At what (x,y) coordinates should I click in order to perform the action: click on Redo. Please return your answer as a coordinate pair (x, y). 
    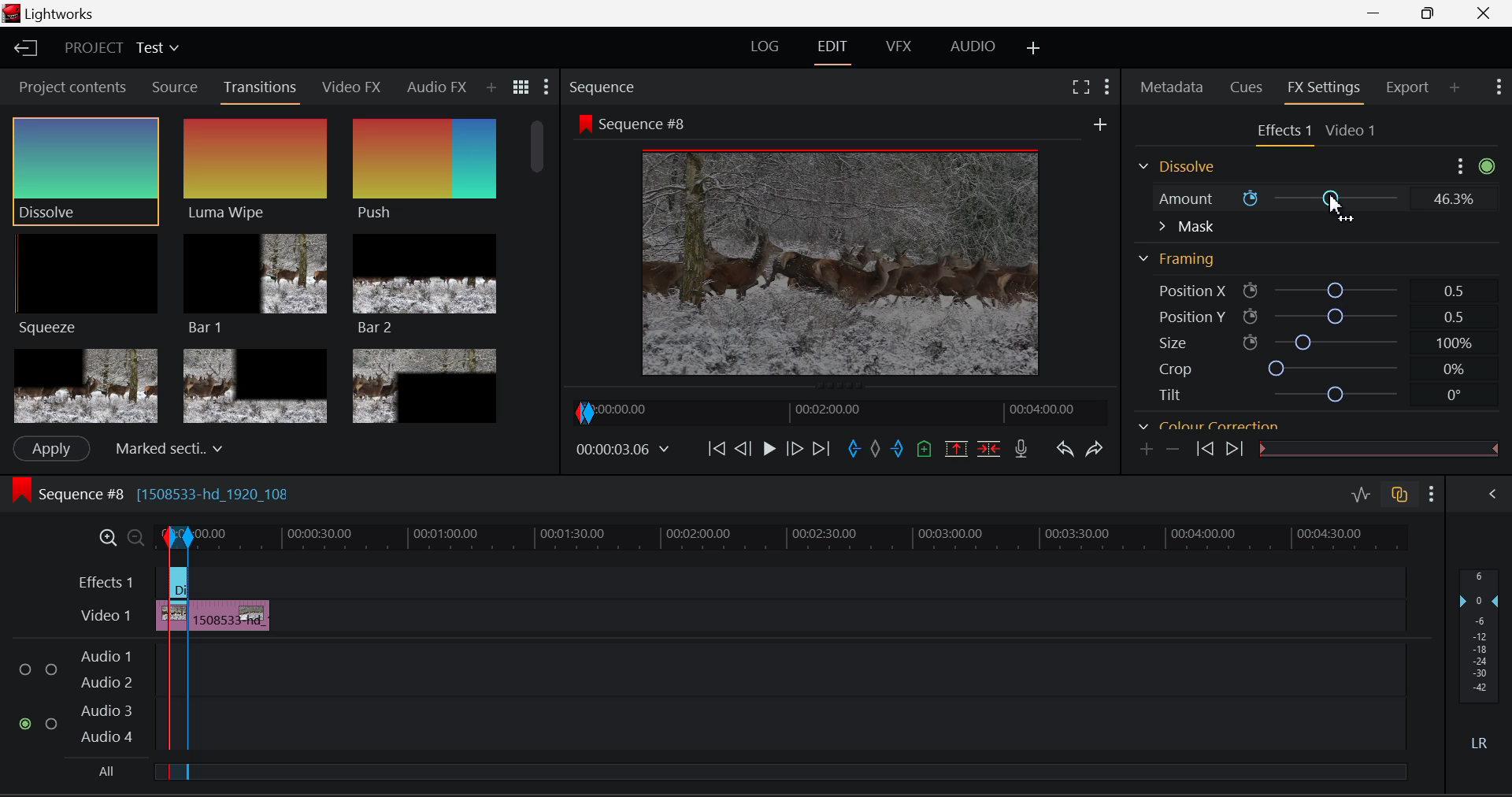
    Looking at the image, I should click on (1098, 450).